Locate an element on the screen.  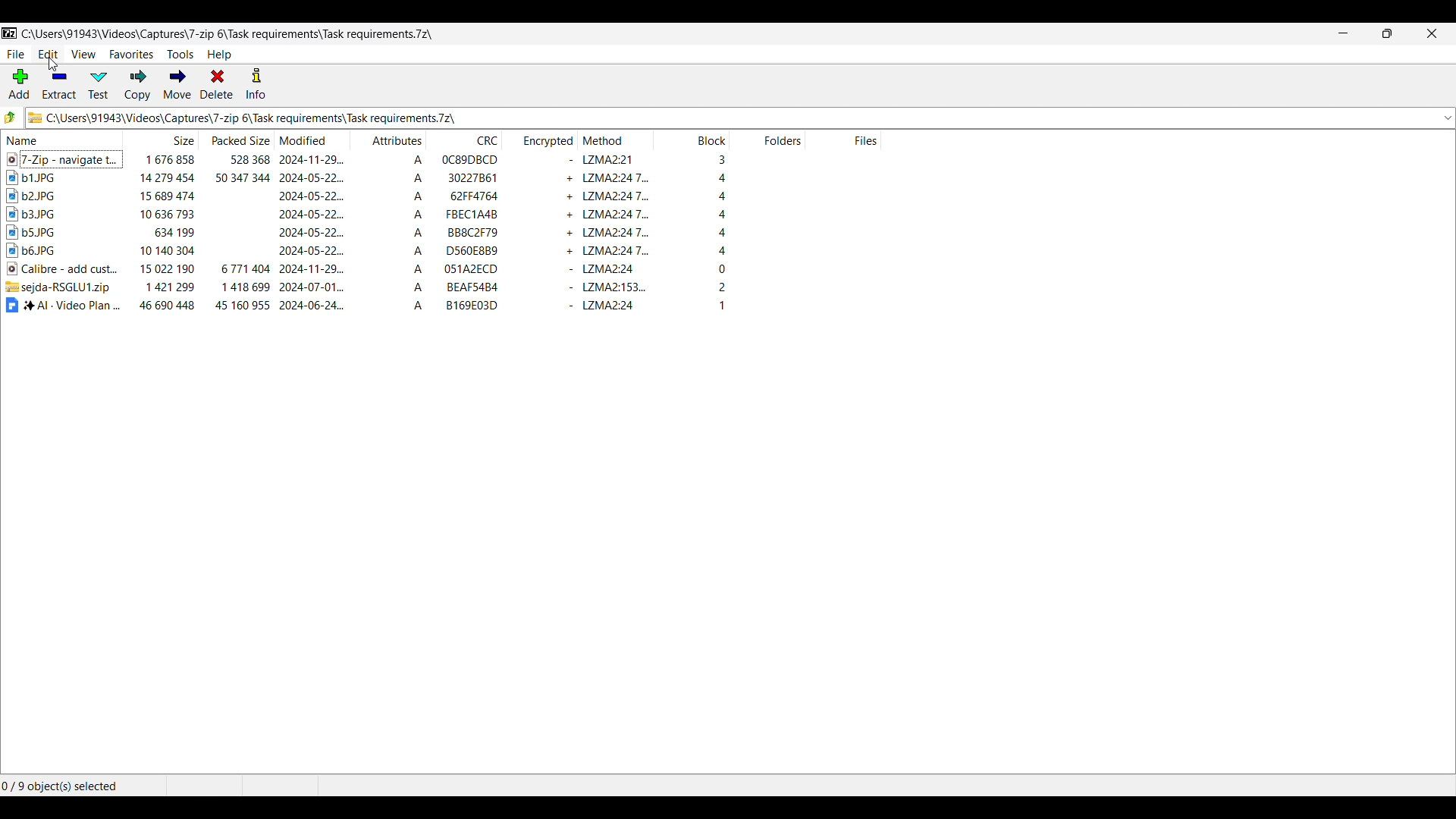
image 5 is located at coordinates (39, 249).